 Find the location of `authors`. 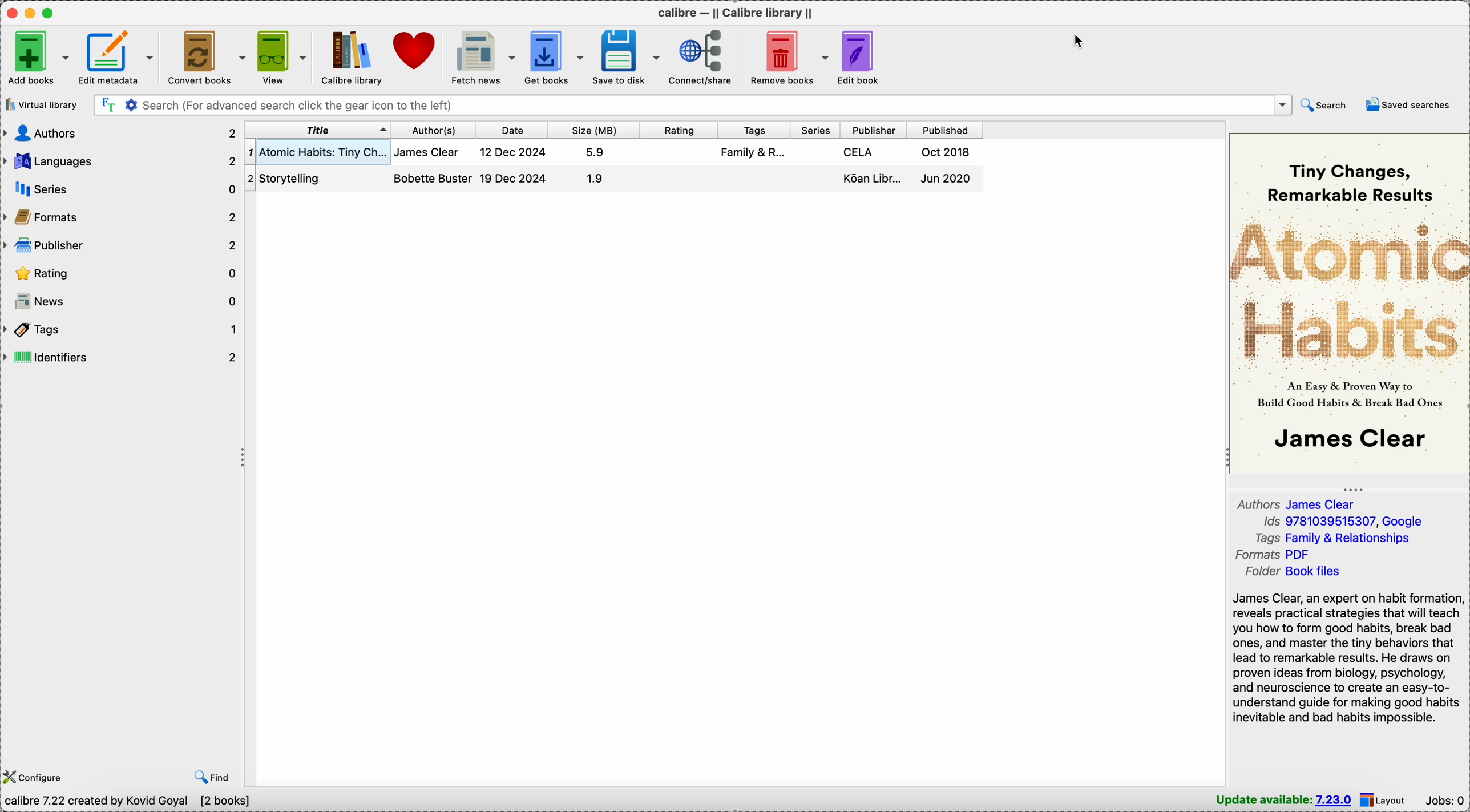

authors is located at coordinates (119, 132).